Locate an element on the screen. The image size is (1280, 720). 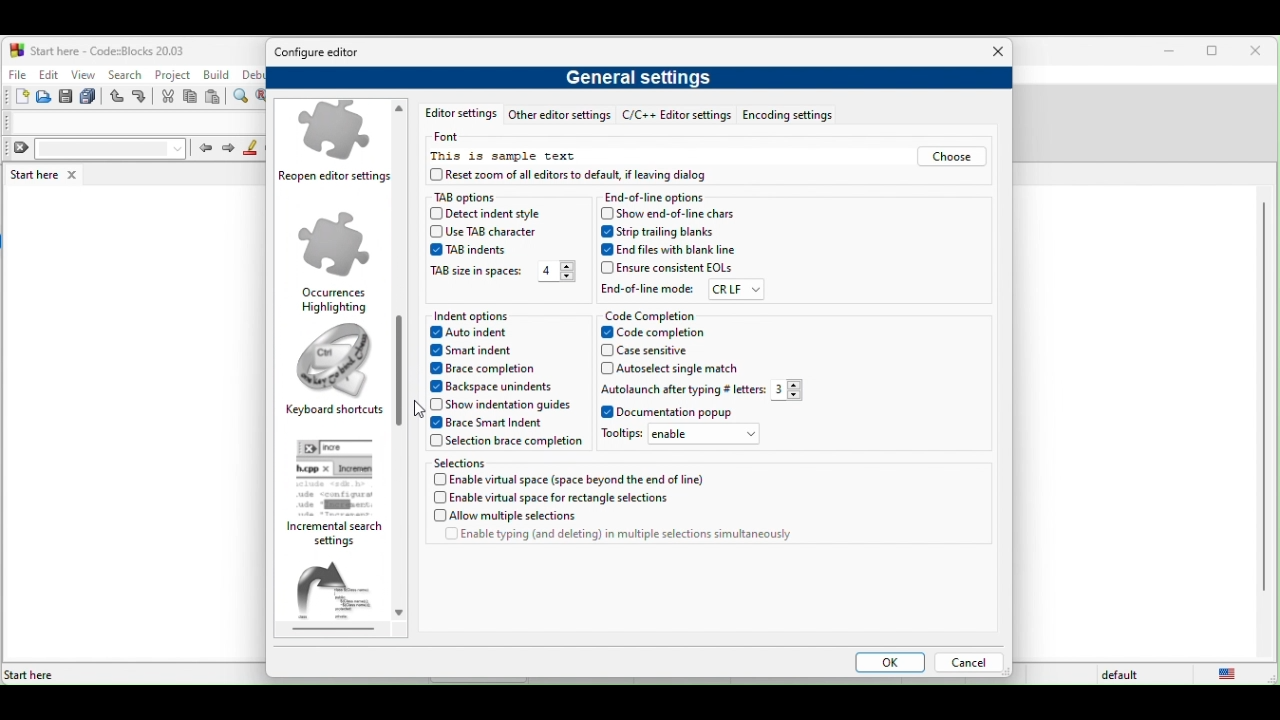
occurrences highlighting is located at coordinates (335, 261).